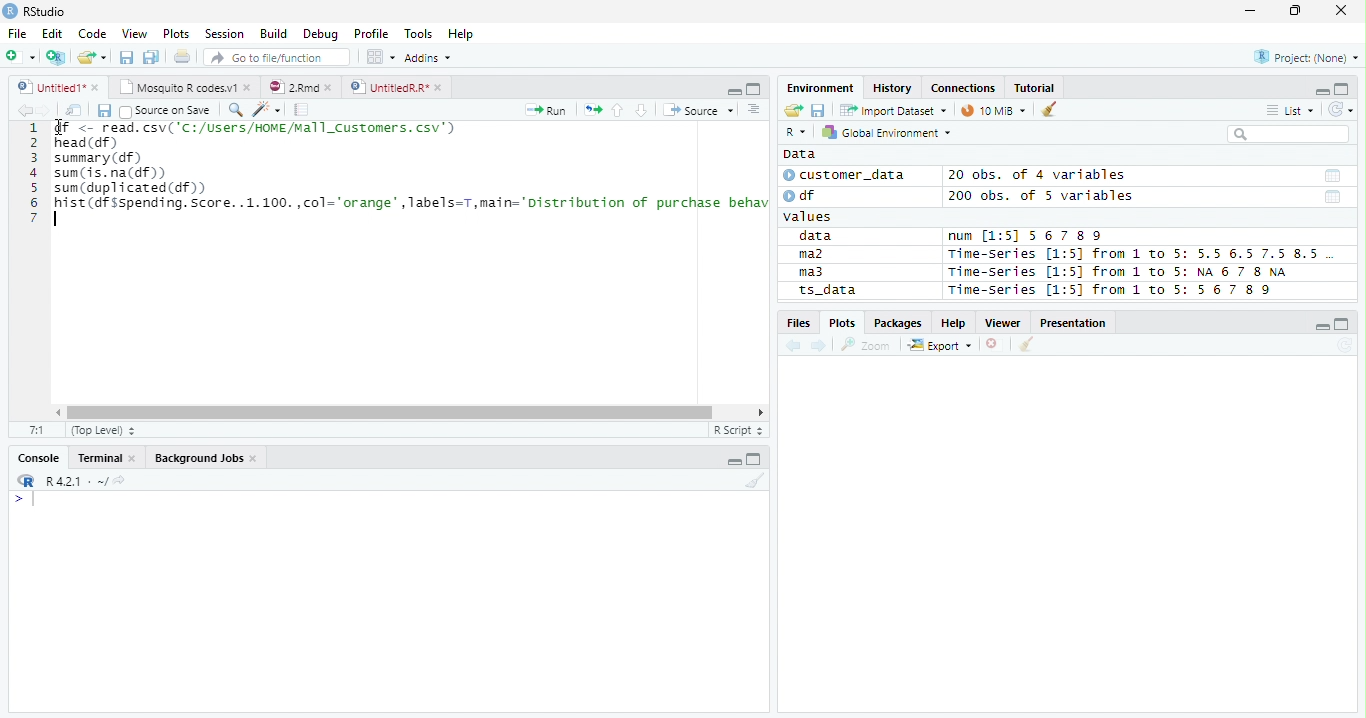  What do you see at coordinates (1038, 198) in the screenshot?
I see `200 obs. of 5 variables` at bounding box center [1038, 198].